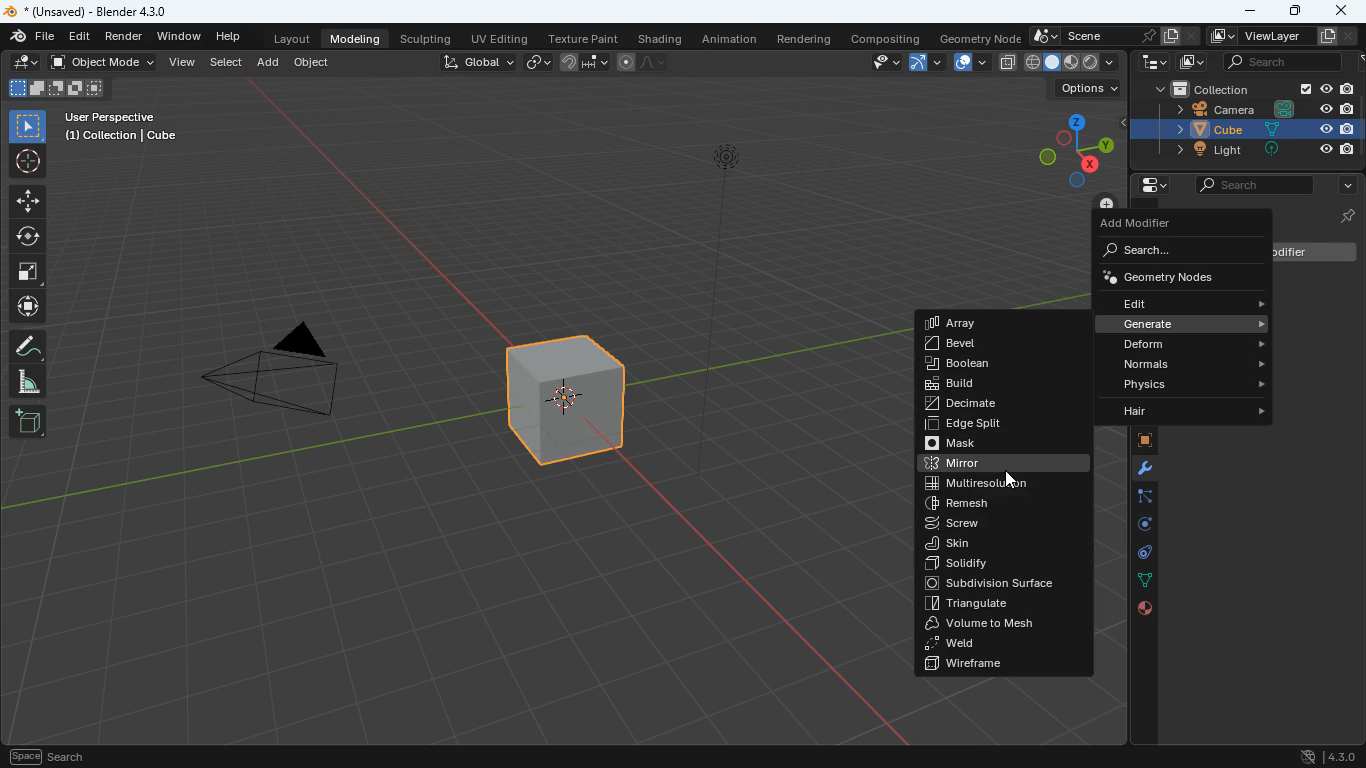 Image resolution: width=1366 pixels, height=768 pixels. I want to click on screw, so click(997, 523).